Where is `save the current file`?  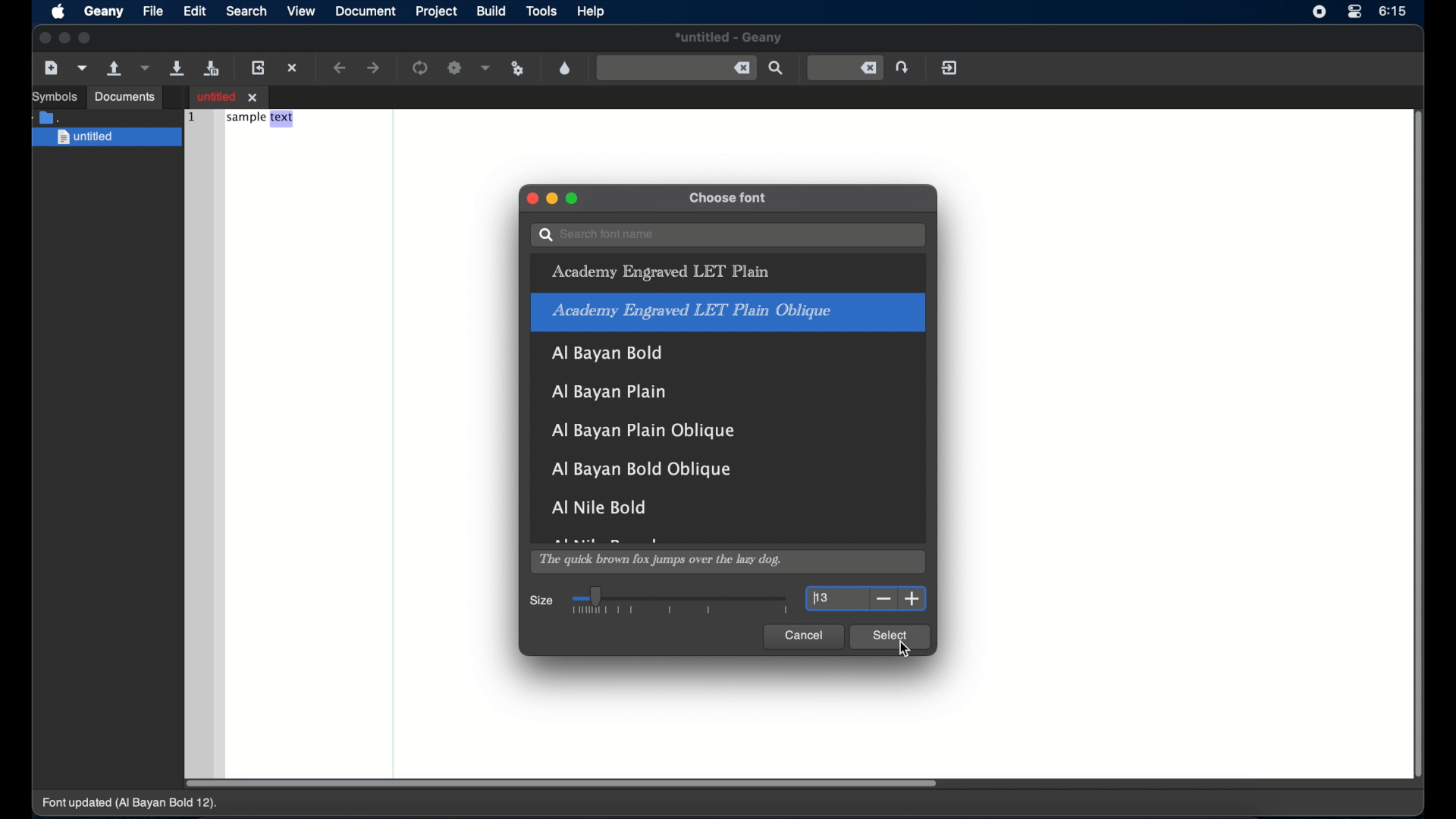
save the current file is located at coordinates (177, 67).